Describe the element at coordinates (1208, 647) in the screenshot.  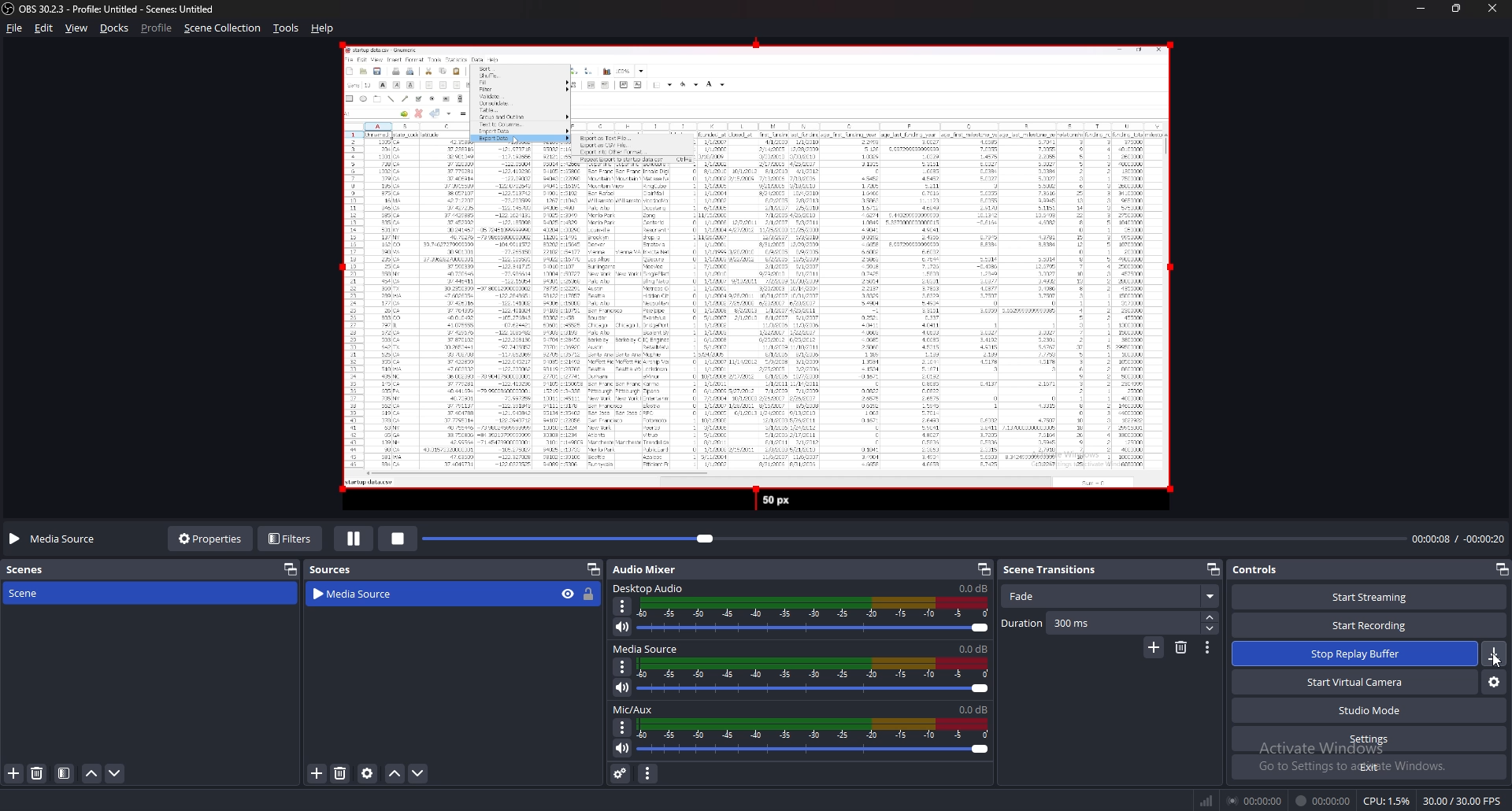
I see `transition properties` at that location.